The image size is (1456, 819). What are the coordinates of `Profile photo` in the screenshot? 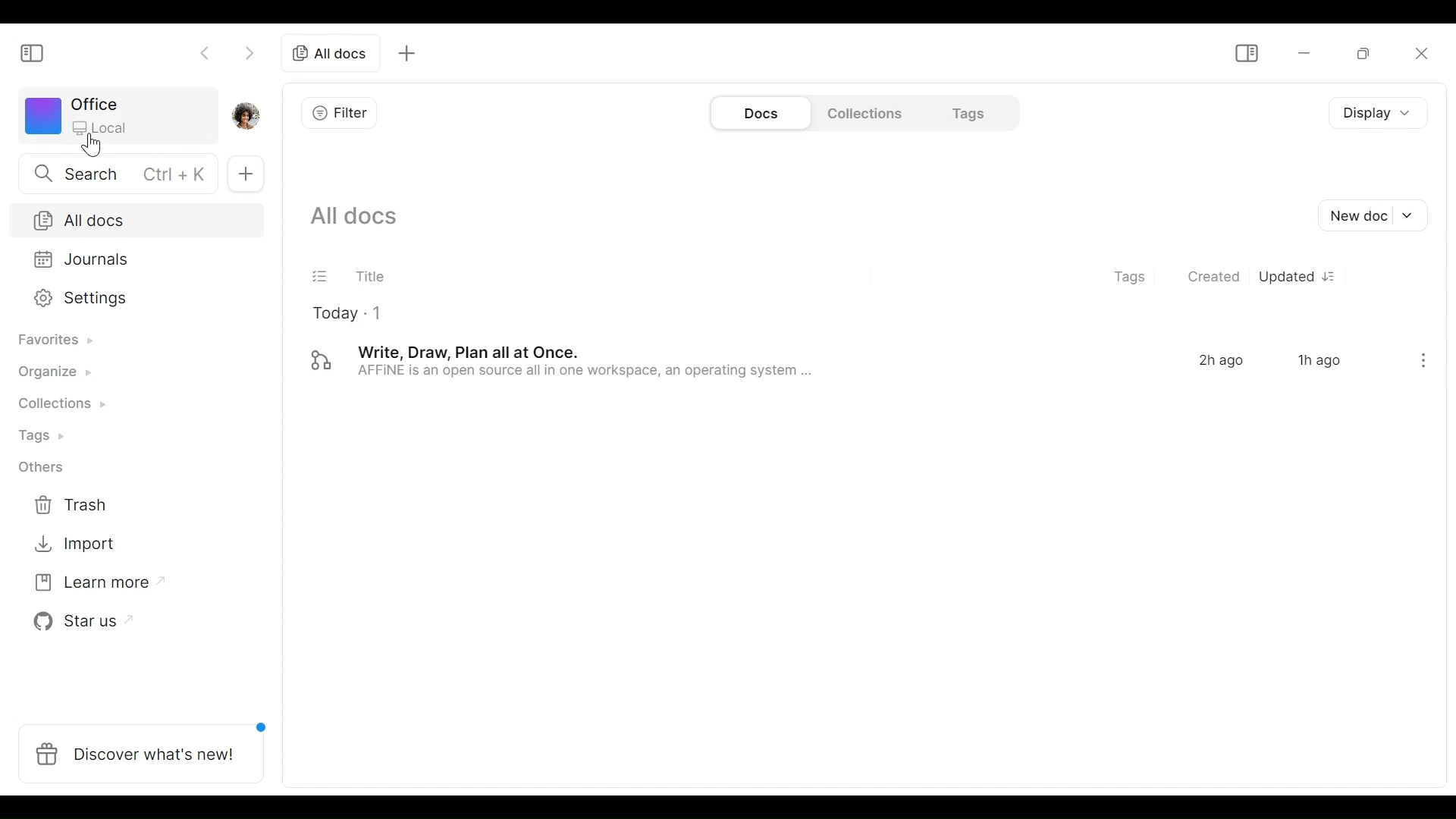 It's located at (251, 117).